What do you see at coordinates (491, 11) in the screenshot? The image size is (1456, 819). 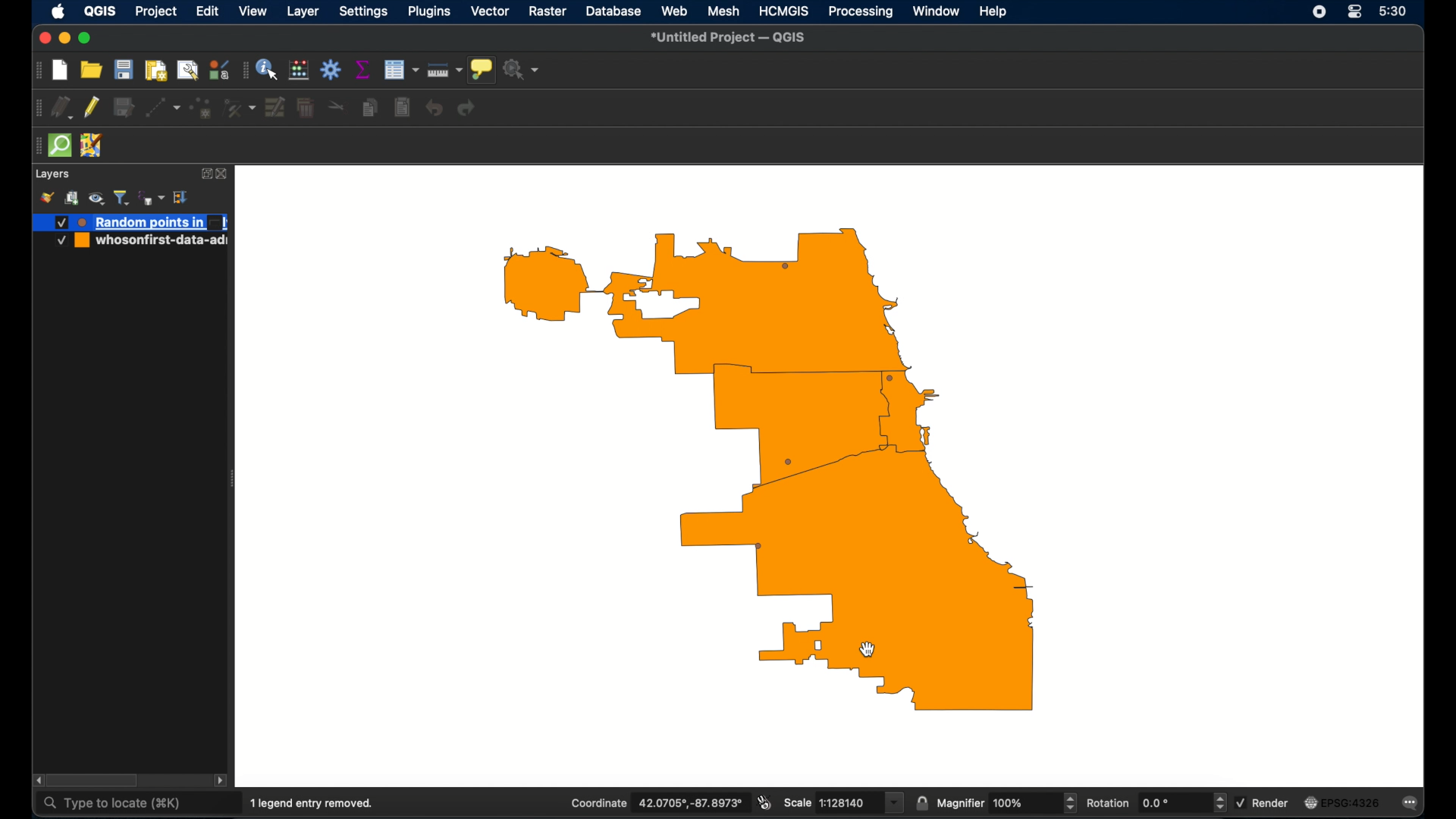 I see `vector` at bounding box center [491, 11].